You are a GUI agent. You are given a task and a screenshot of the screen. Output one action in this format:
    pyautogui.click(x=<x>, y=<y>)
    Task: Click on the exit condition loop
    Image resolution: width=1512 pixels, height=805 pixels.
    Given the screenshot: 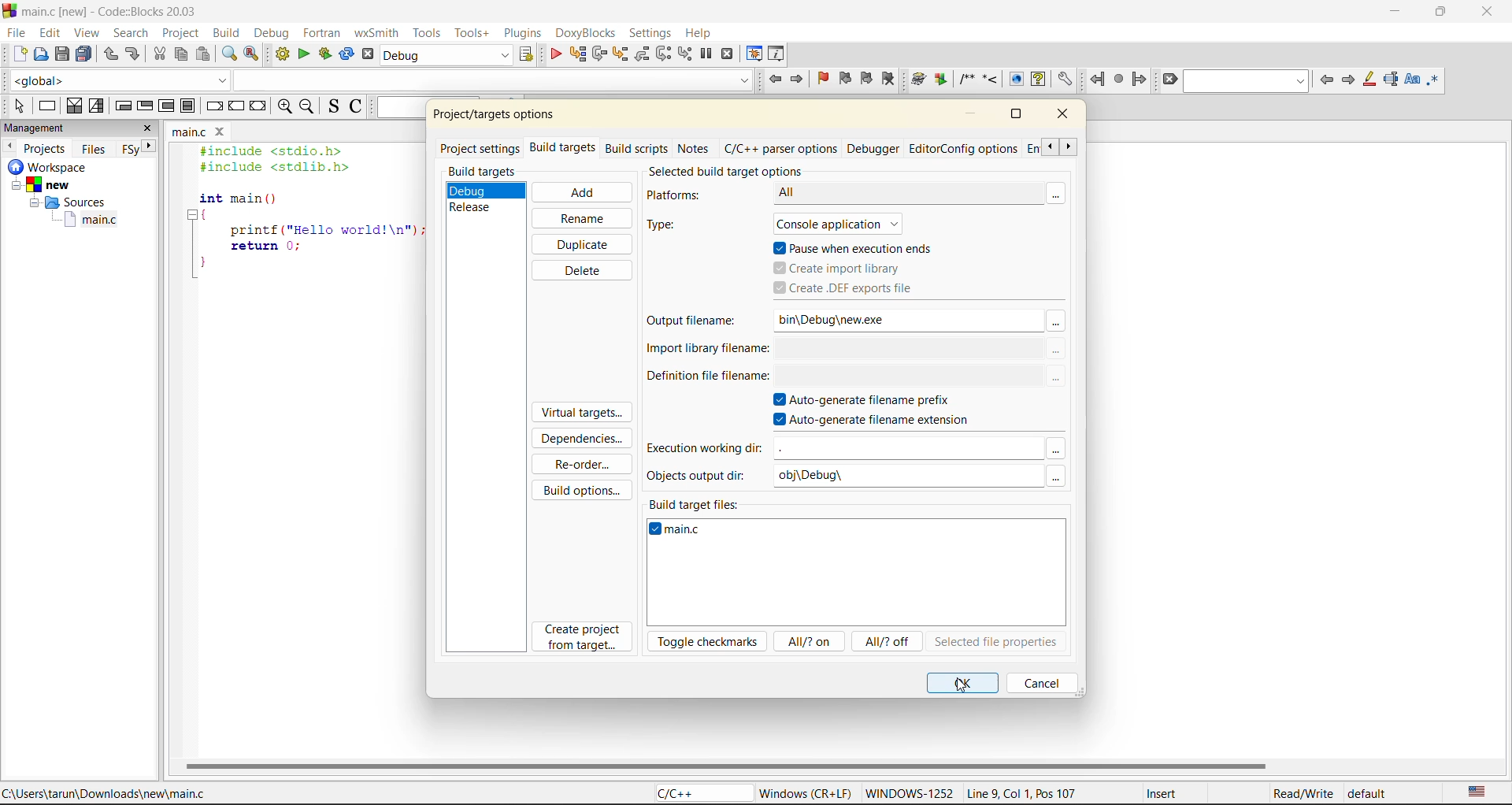 What is the action you would take?
    pyautogui.click(x=144, y=106)
    